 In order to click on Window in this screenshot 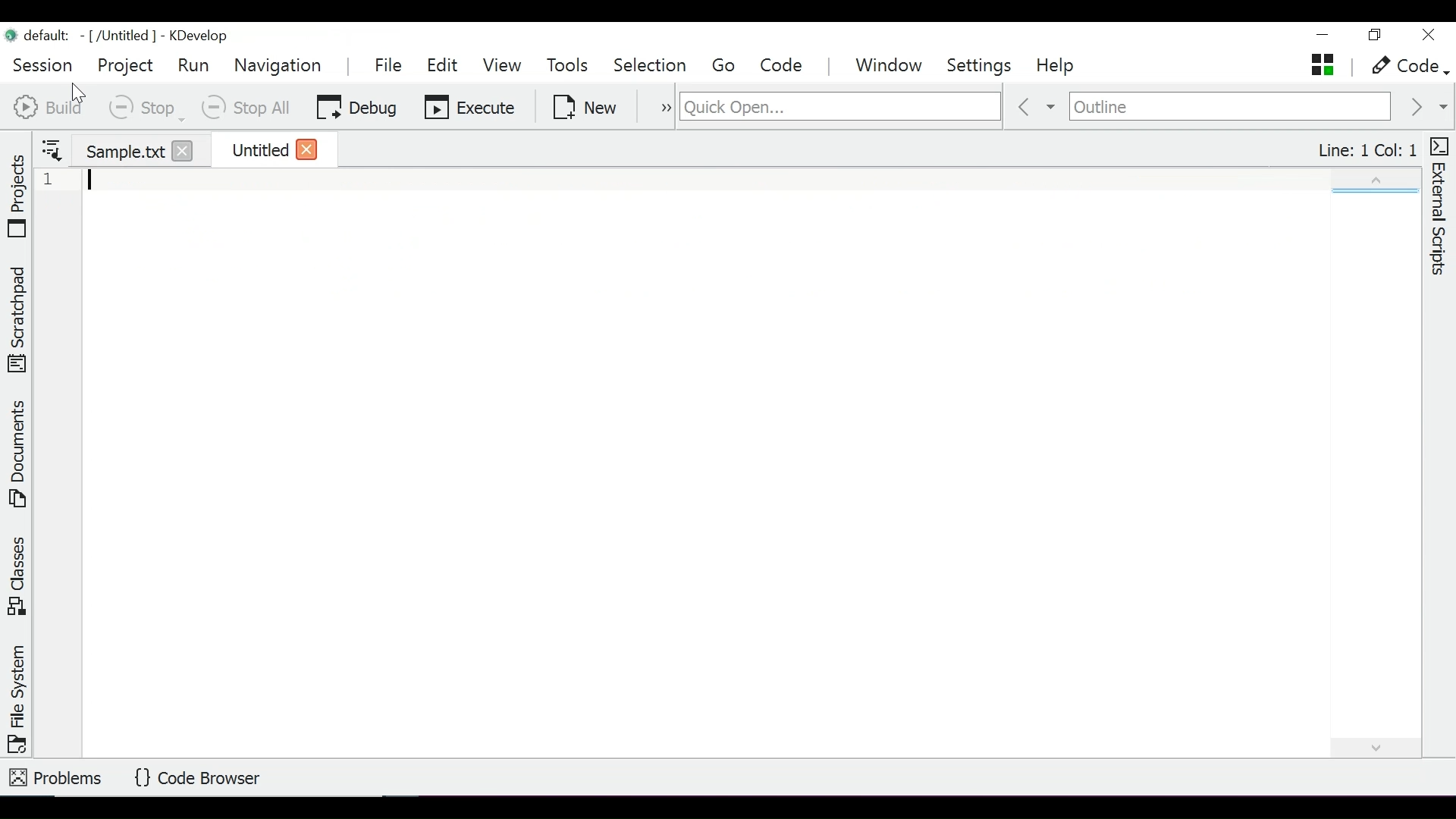, I will do `click(888, 65)`.